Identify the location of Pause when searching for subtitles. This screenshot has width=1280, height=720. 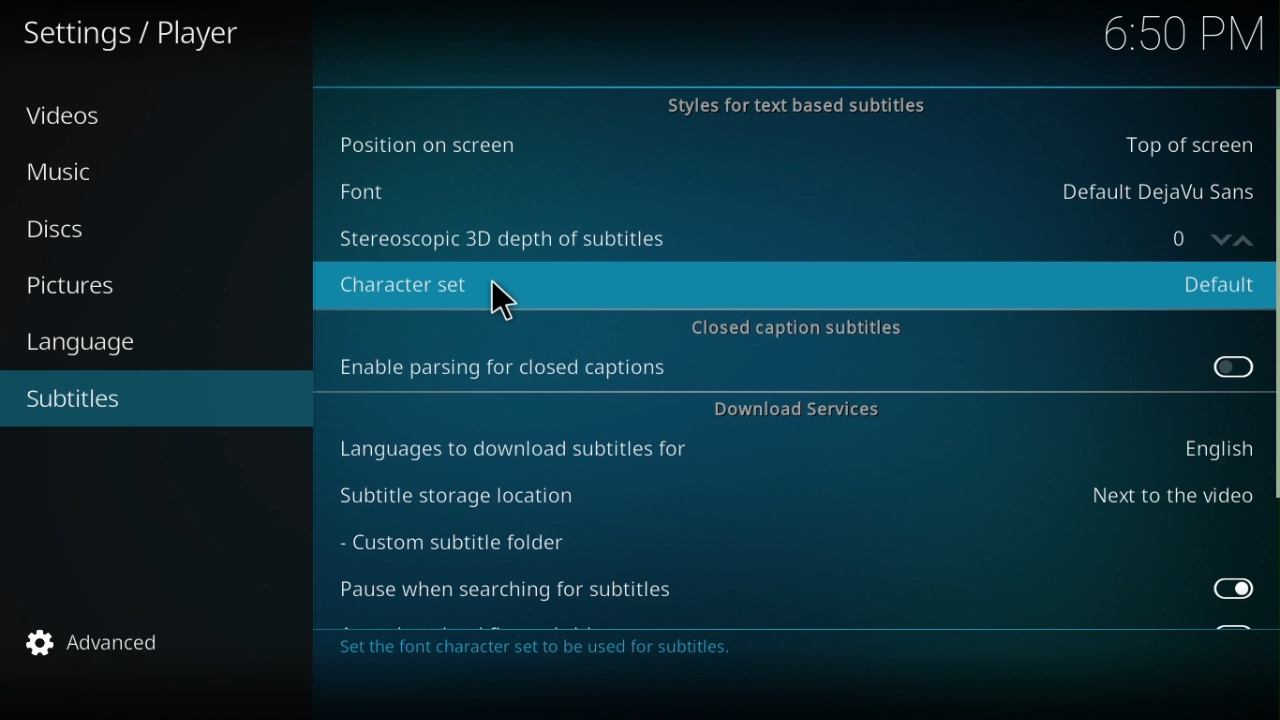
(799, 594).